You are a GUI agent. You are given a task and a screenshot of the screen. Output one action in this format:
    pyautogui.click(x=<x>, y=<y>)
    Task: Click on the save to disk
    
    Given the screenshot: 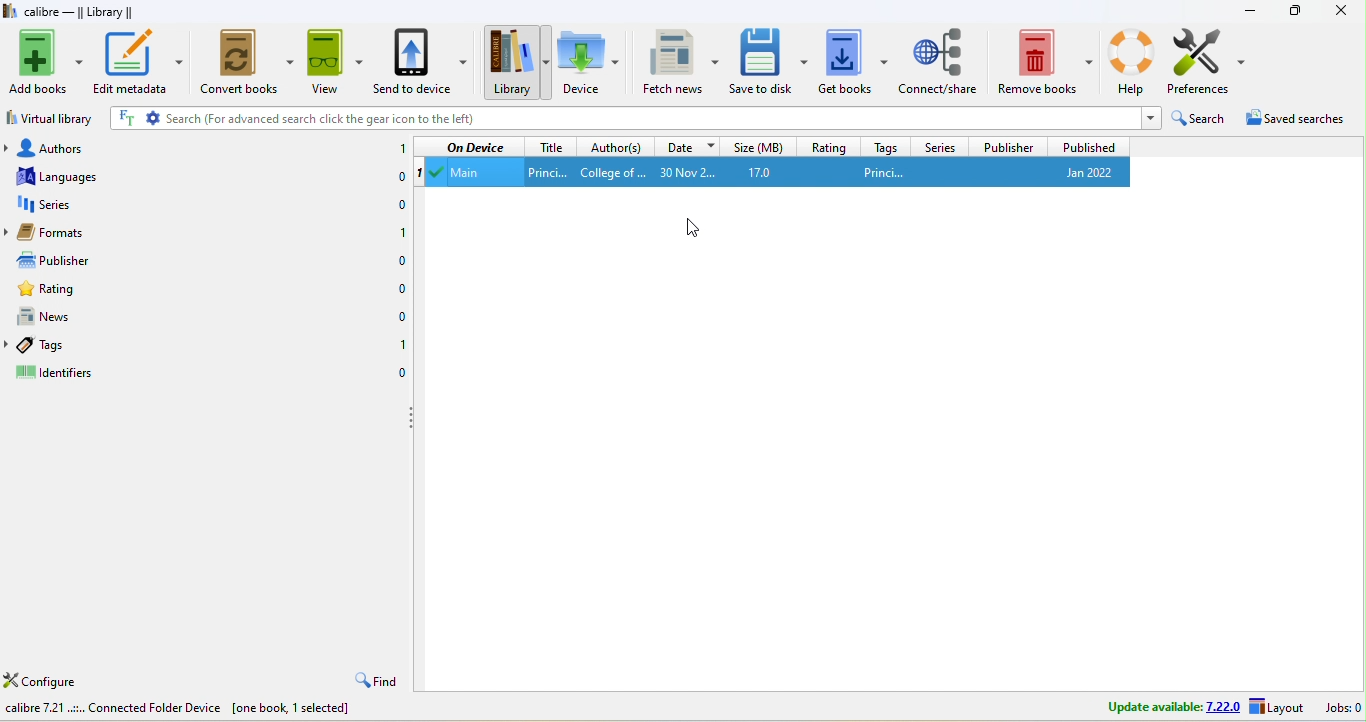 What is the action you would take?
    pyautogui.click(x=769, y=60)
    